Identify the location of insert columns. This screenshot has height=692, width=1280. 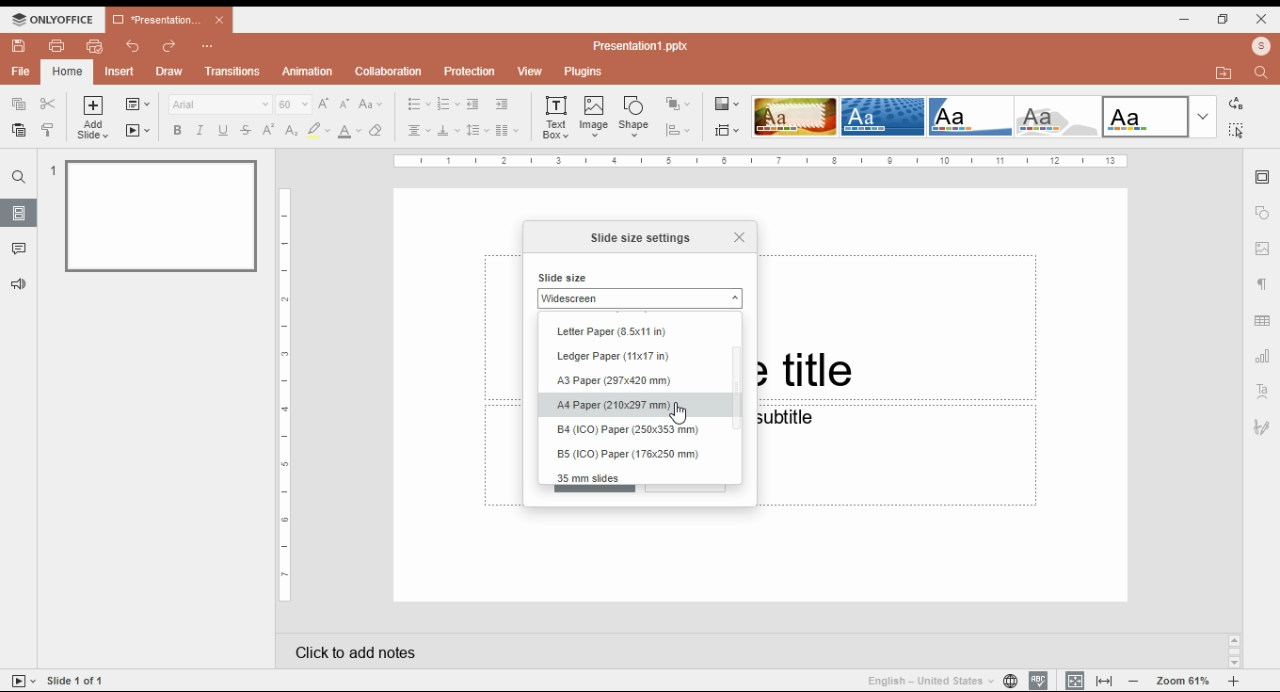
(507, 132).